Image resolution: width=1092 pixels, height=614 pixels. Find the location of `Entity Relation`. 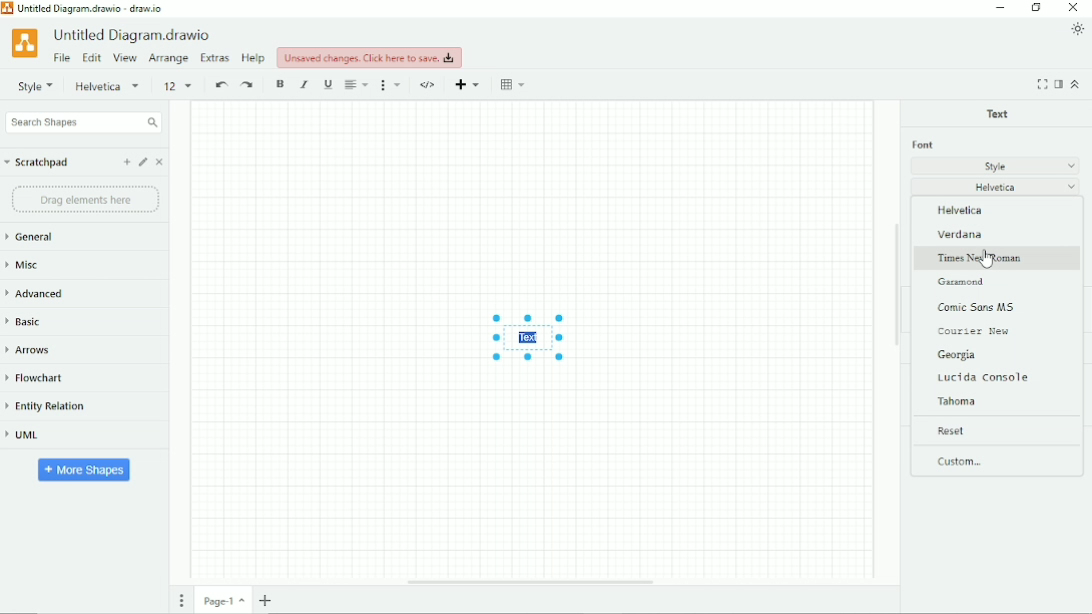

Entity Relation is located at coordinates (46, 407).